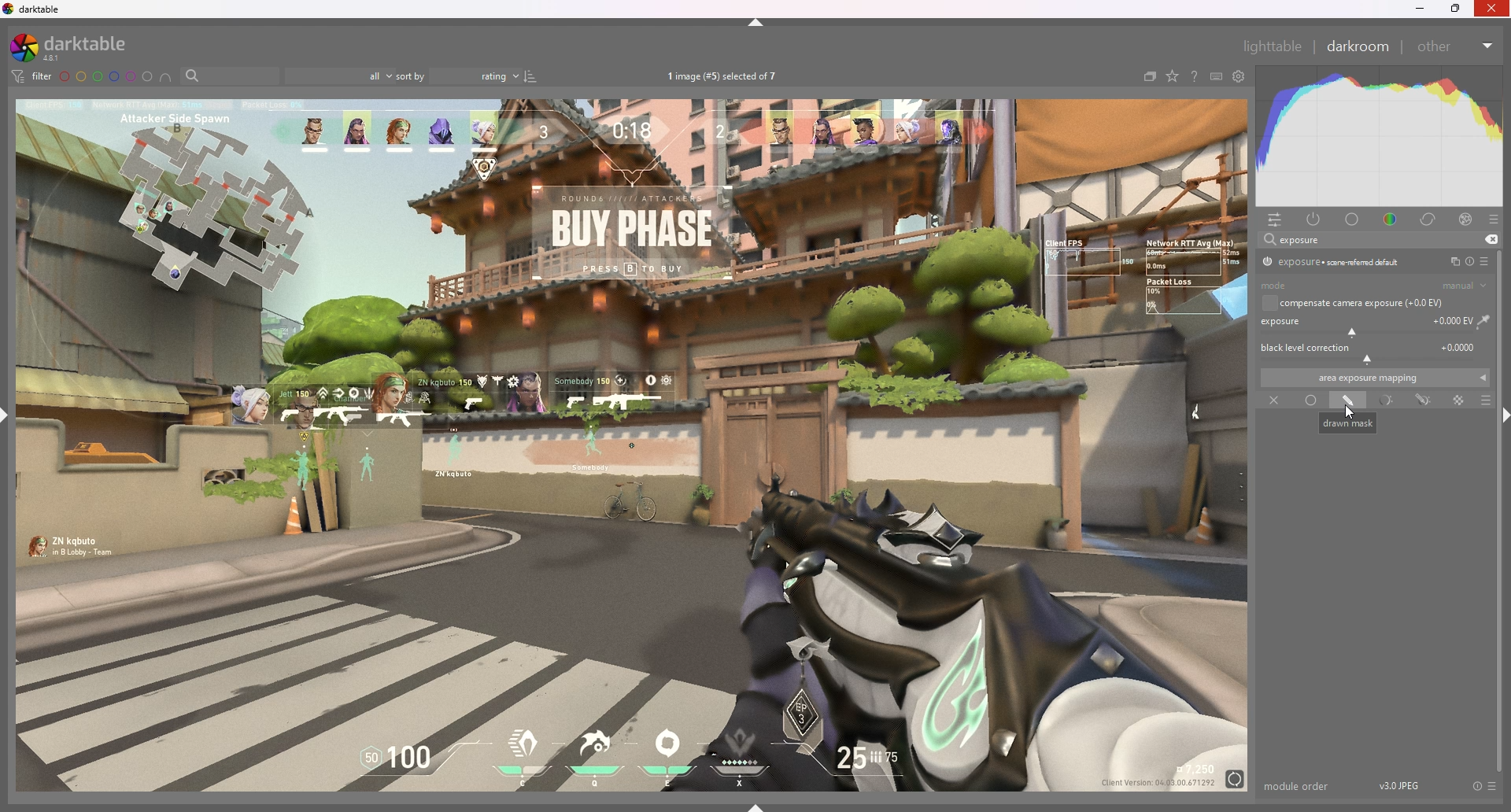  I want to click on change type of overlays, so click(1173, 76).